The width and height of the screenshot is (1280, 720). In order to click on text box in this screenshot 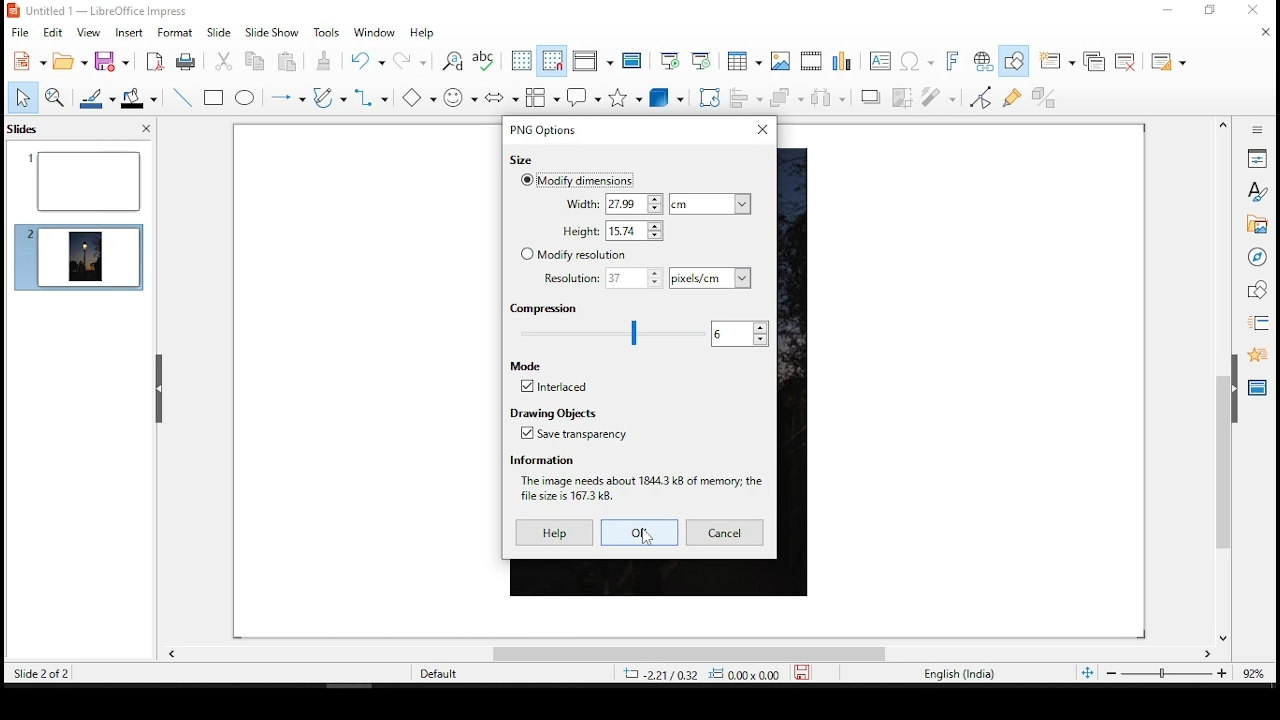, I will do `click(879, 62)`.